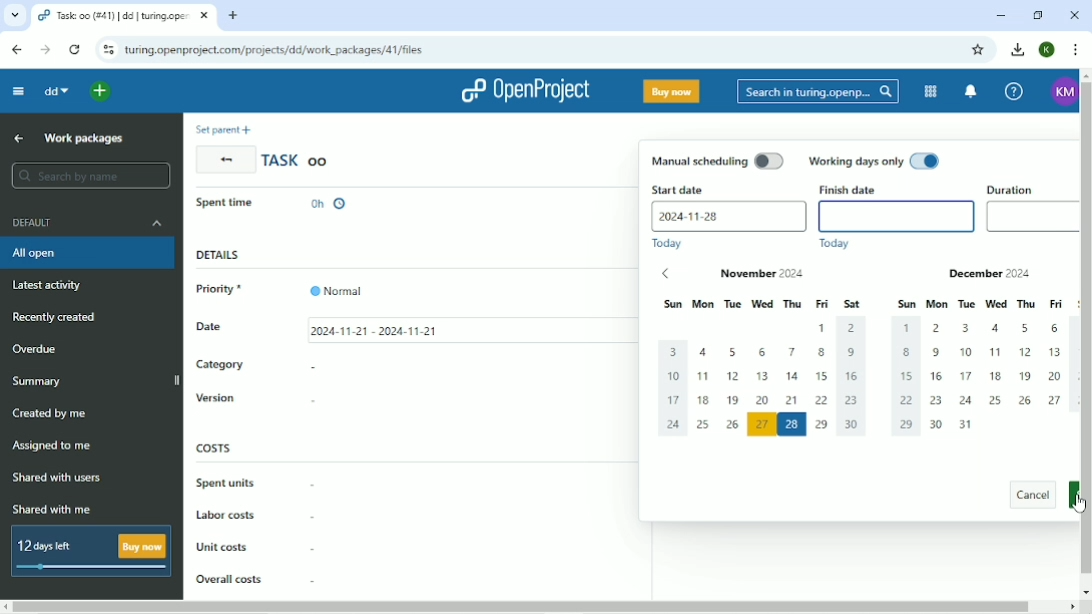 The image size is (1092, 614). I want to click on Modules, so click(930, 91).